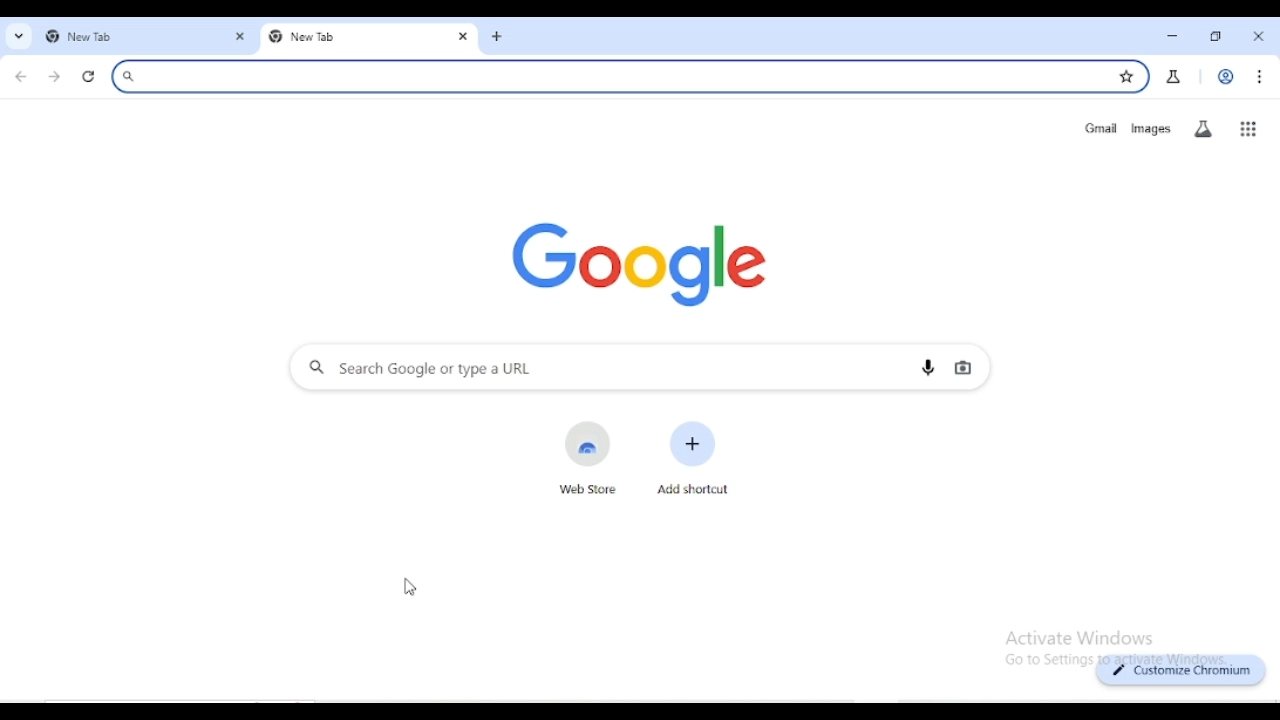 Image resolution: width=1280 pixels, height=720 pixels. What do you see at coordinates (963, 369) in the screenshot?
I see `search by image` at bounding box center [963, 369].